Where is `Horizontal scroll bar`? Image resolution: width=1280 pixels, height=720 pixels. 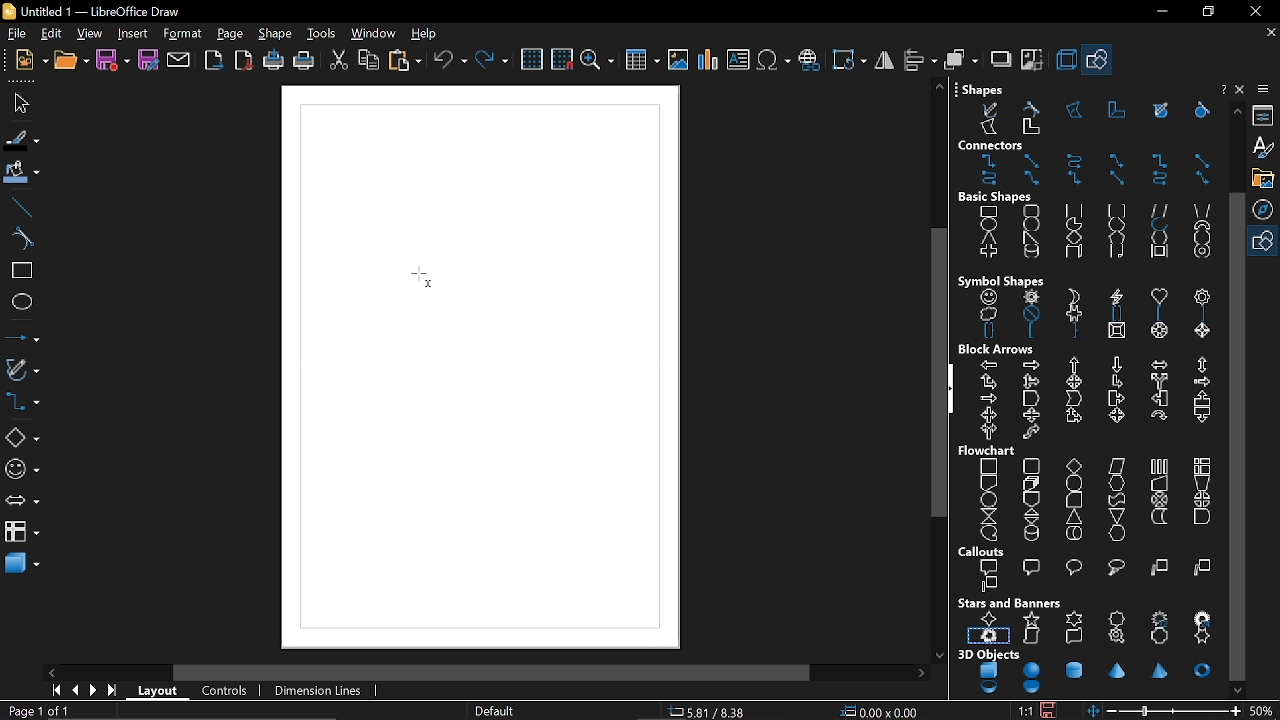
Horizontal scroll bar is located at coordinates (496, 671).